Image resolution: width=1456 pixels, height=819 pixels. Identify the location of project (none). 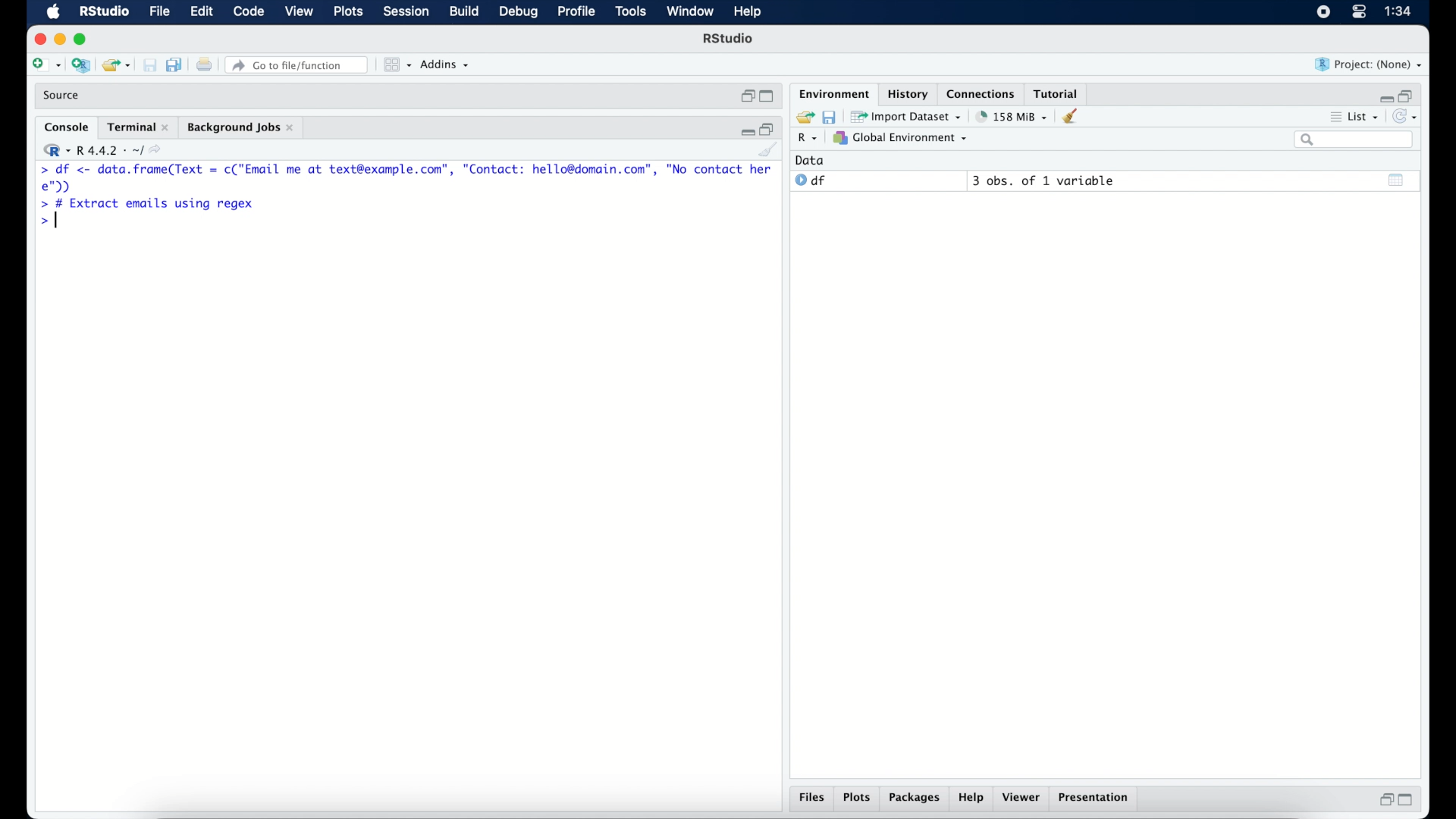
(1370, 65).